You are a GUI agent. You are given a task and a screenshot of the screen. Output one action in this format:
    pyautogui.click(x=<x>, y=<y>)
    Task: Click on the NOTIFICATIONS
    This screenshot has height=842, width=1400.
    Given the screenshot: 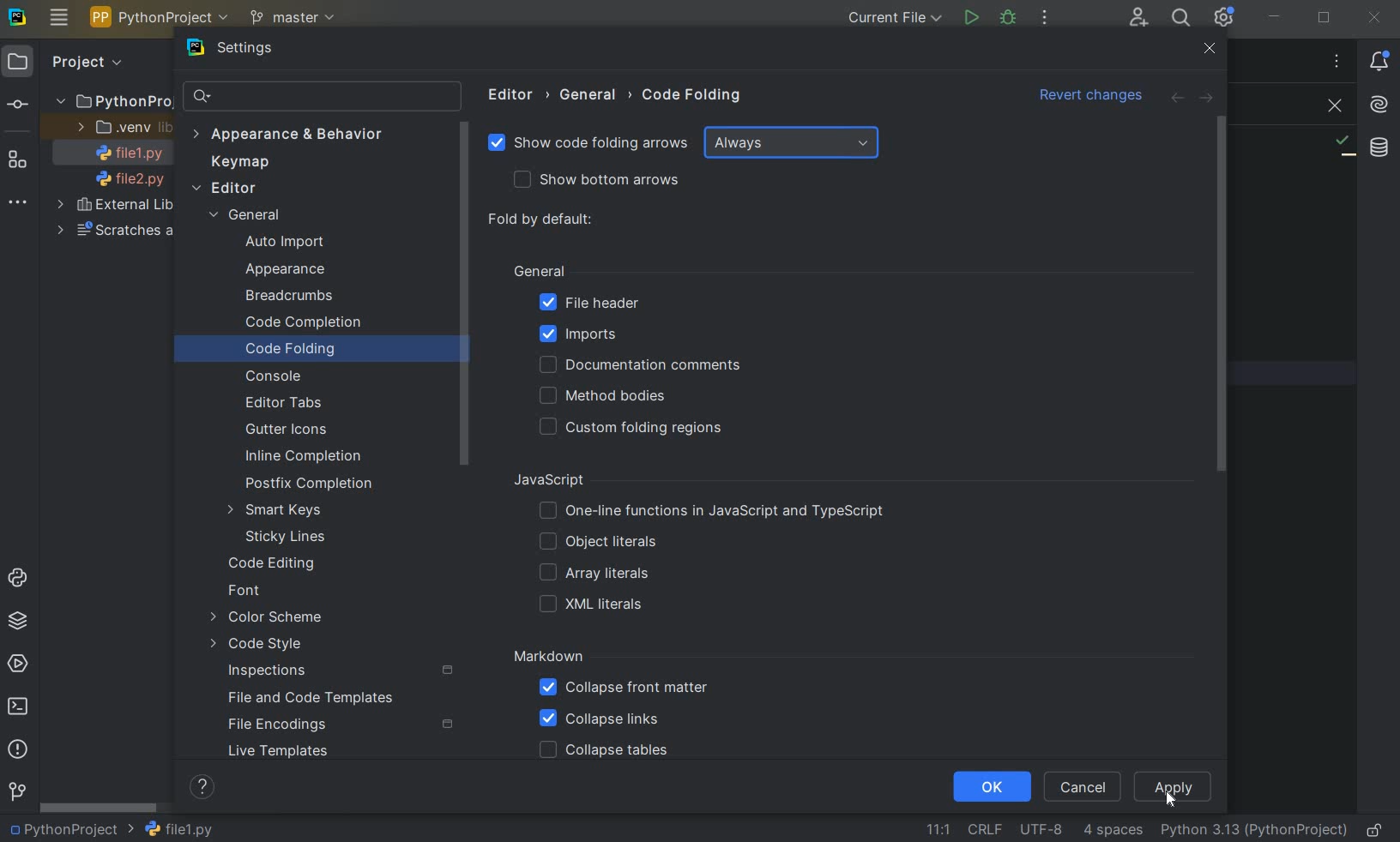 What is the action you would take?
    pyautogui.click(x=1379, y=62)
    